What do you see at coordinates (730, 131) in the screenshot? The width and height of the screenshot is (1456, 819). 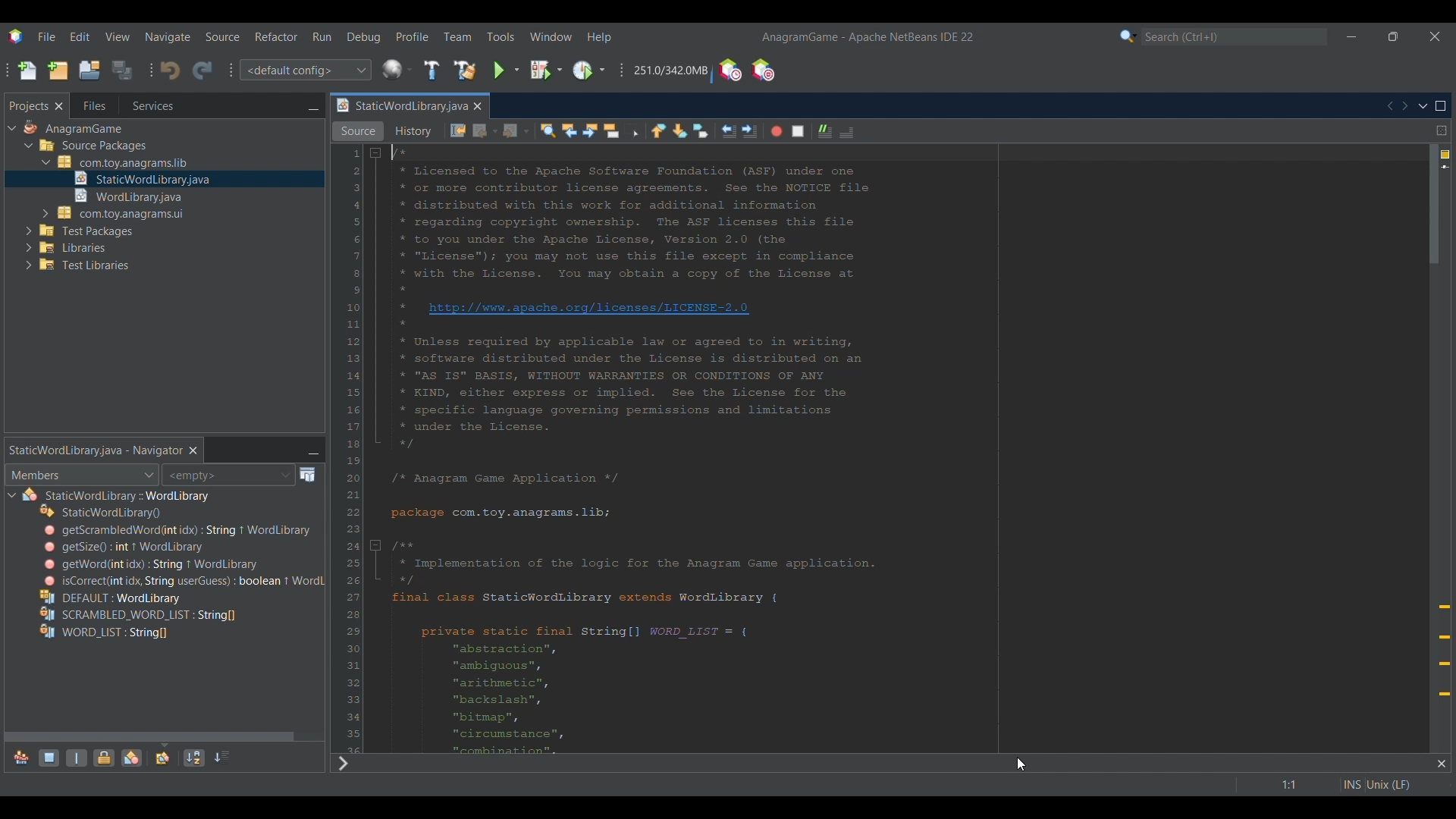 I see `Shift line left` at bounding box center [730, 131].